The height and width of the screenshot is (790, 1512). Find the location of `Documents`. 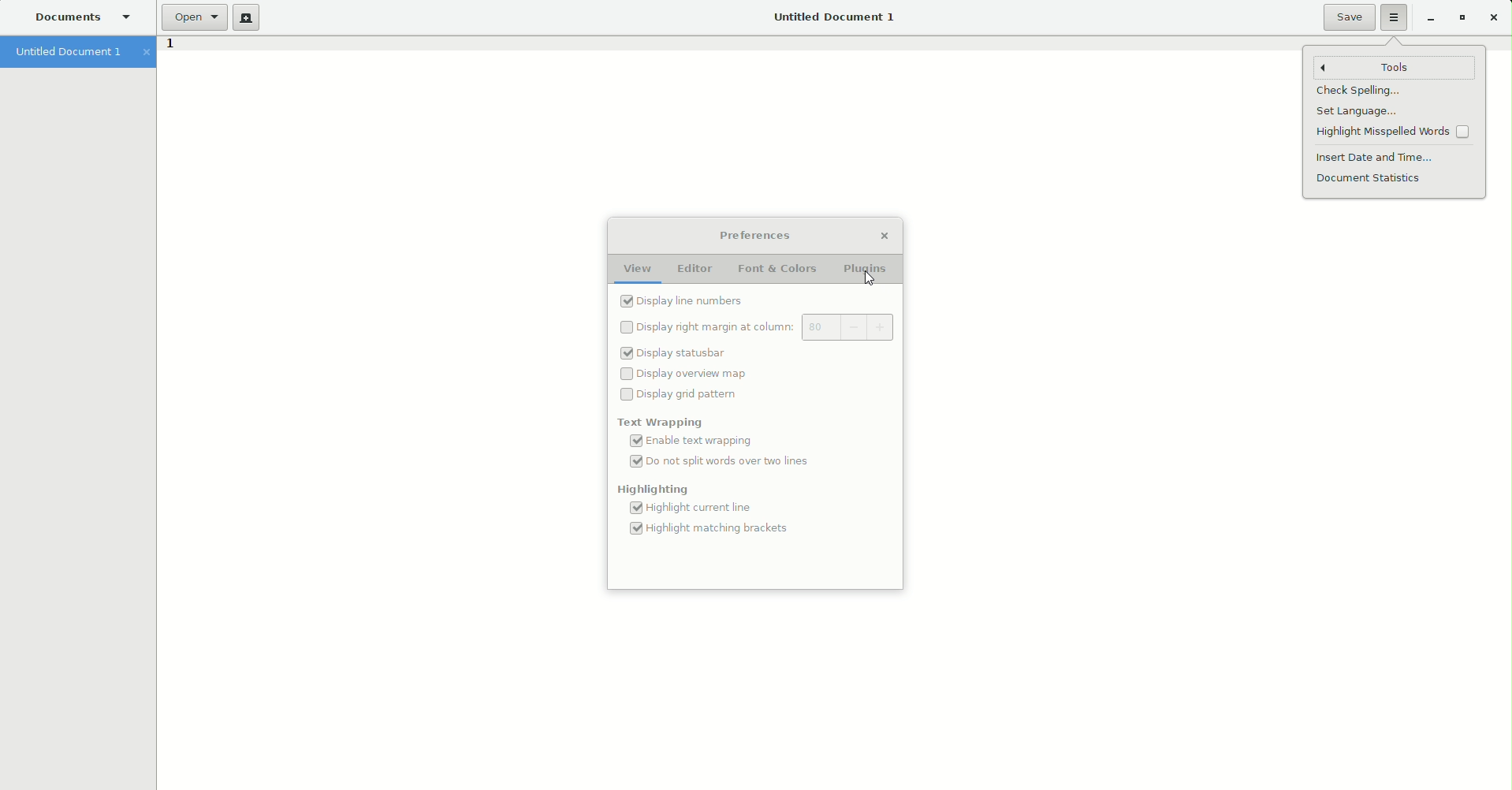

Documents is located at coordinates (84, 17).